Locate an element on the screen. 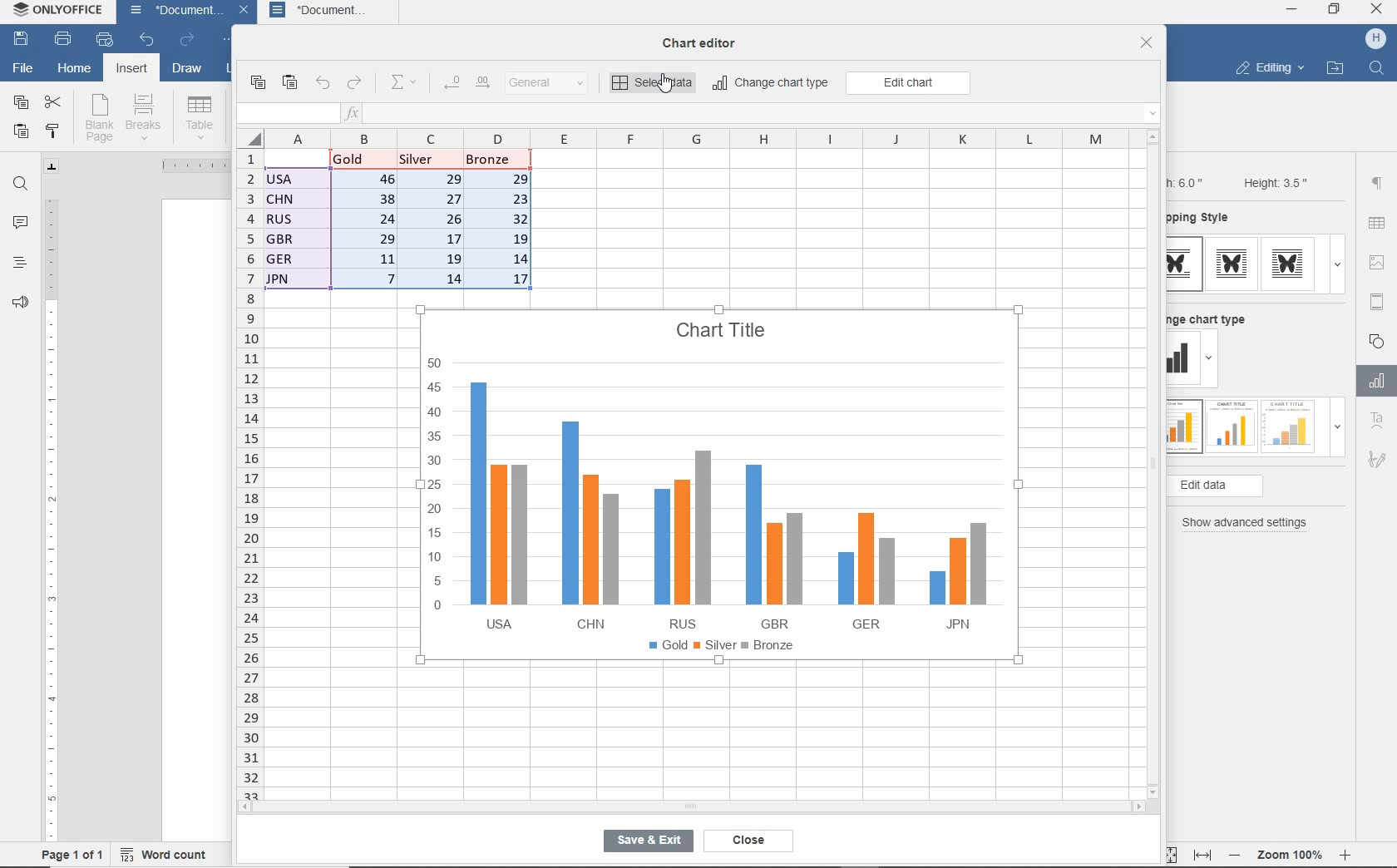 Image resolution: width=1397 pixels, height=868 pixels. close is located at coordinates (1378, 11).